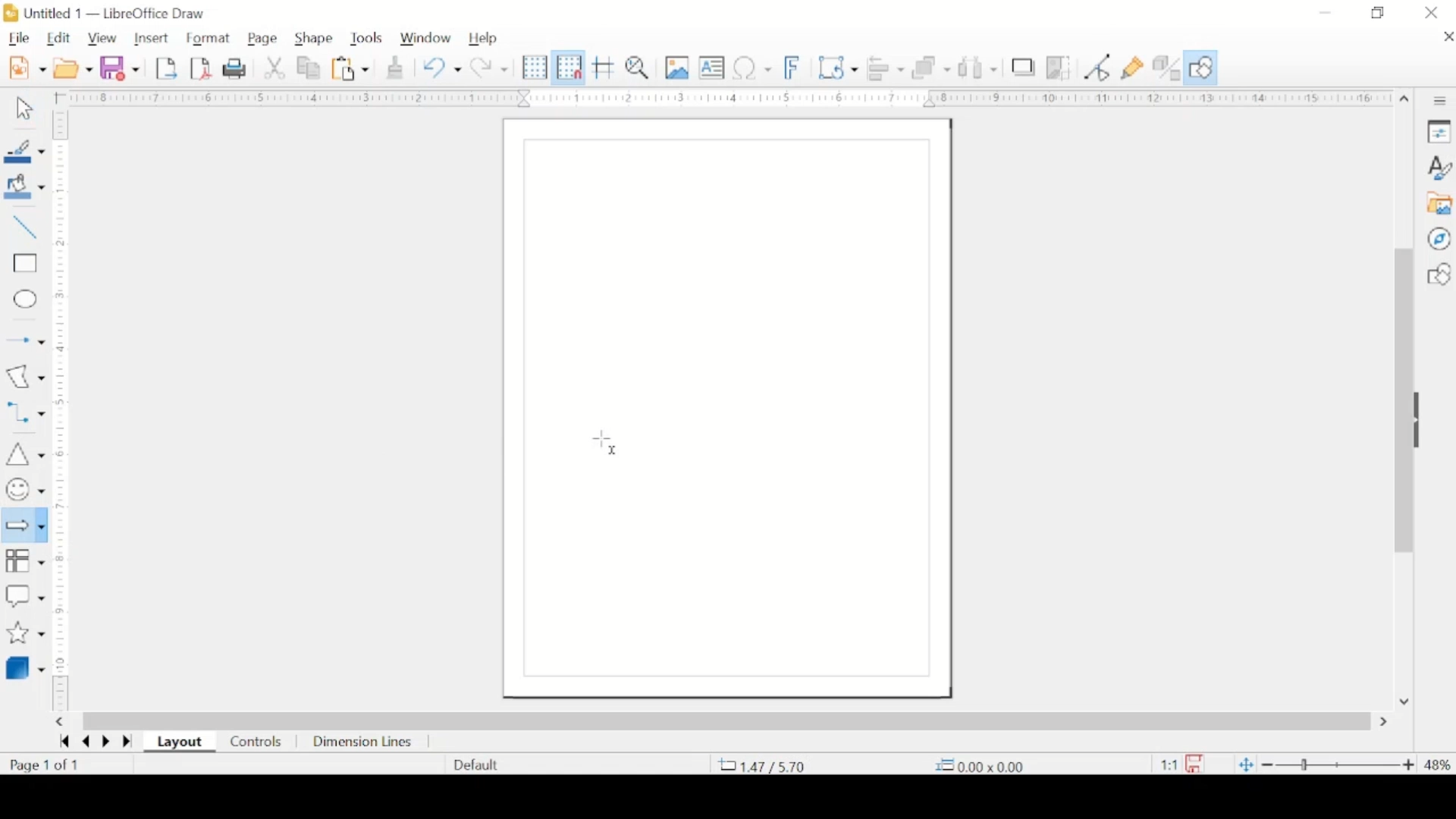 The image size is (1456, 819). What do you see at coordinates (1326, 13) in the screenshot?
I see `minimize` at bounding box center [1326, 13].